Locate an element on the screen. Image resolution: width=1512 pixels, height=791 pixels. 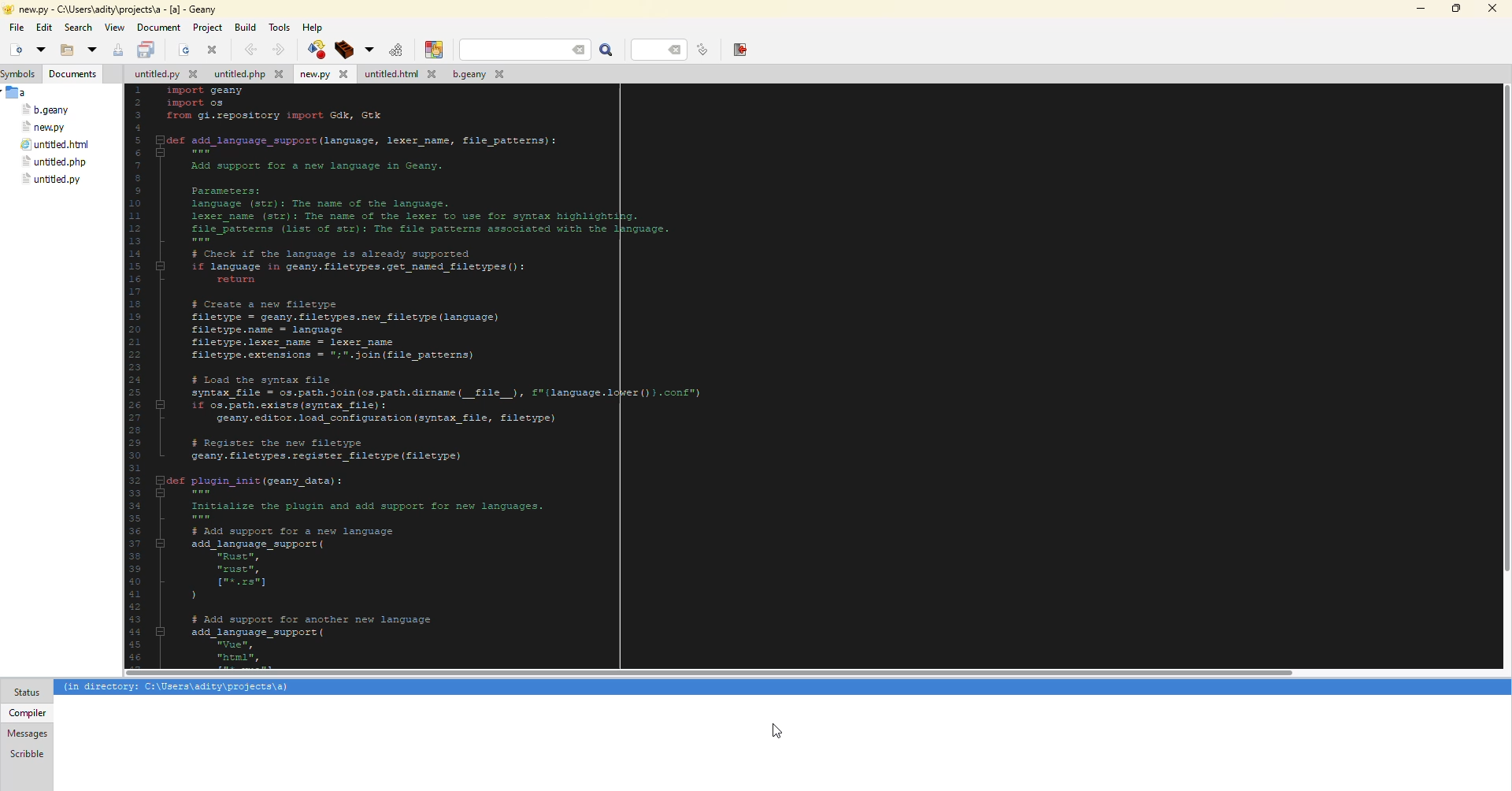
symbols is located at coordinates (18, 74).